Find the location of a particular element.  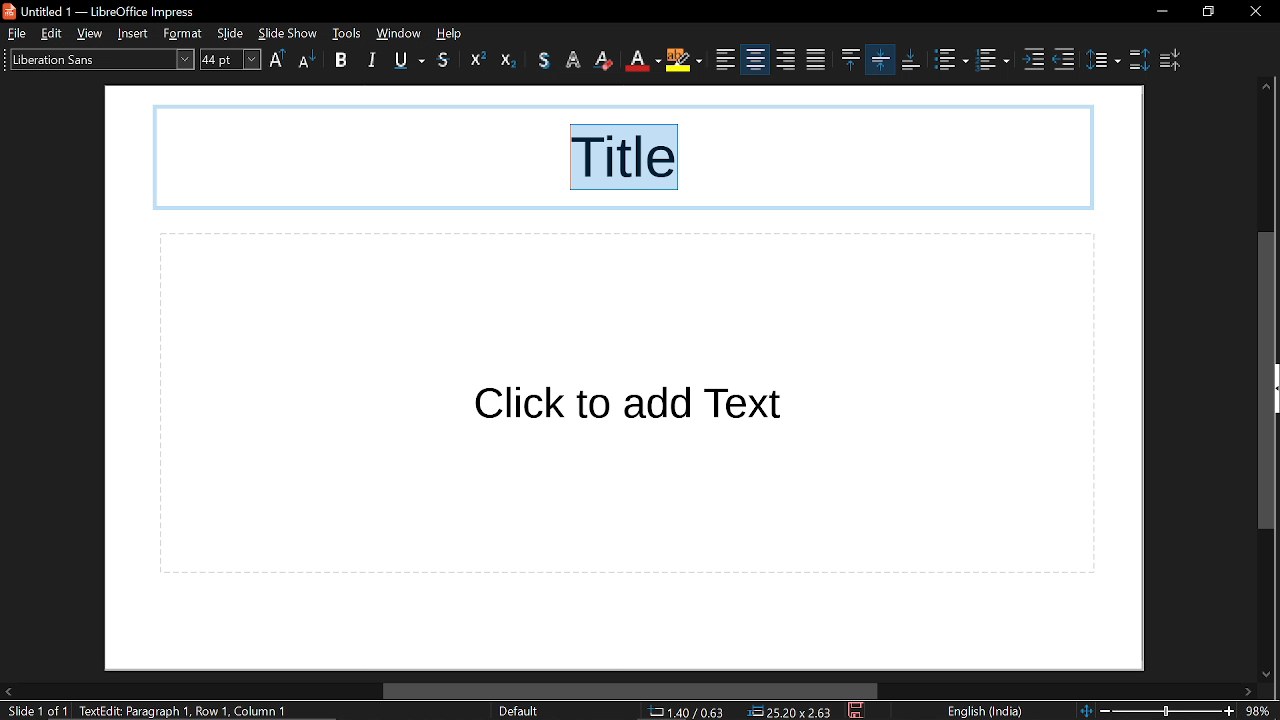

tools is located at coordinates (347, 33).